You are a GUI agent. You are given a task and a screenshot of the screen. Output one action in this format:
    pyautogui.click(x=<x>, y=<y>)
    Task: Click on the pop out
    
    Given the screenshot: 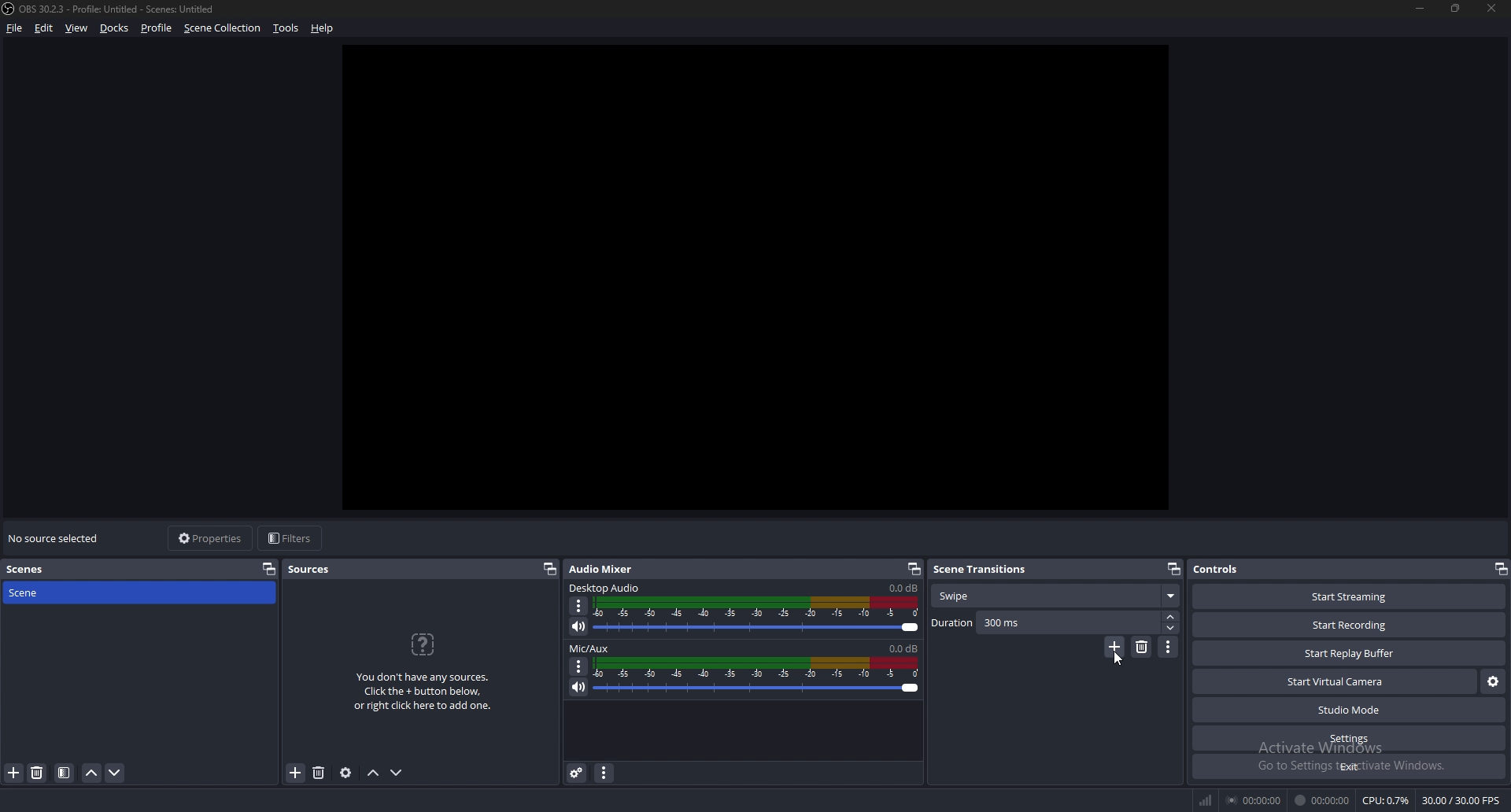 What is the action you would take?
    pyautogui.click(x=549, y=570)
    